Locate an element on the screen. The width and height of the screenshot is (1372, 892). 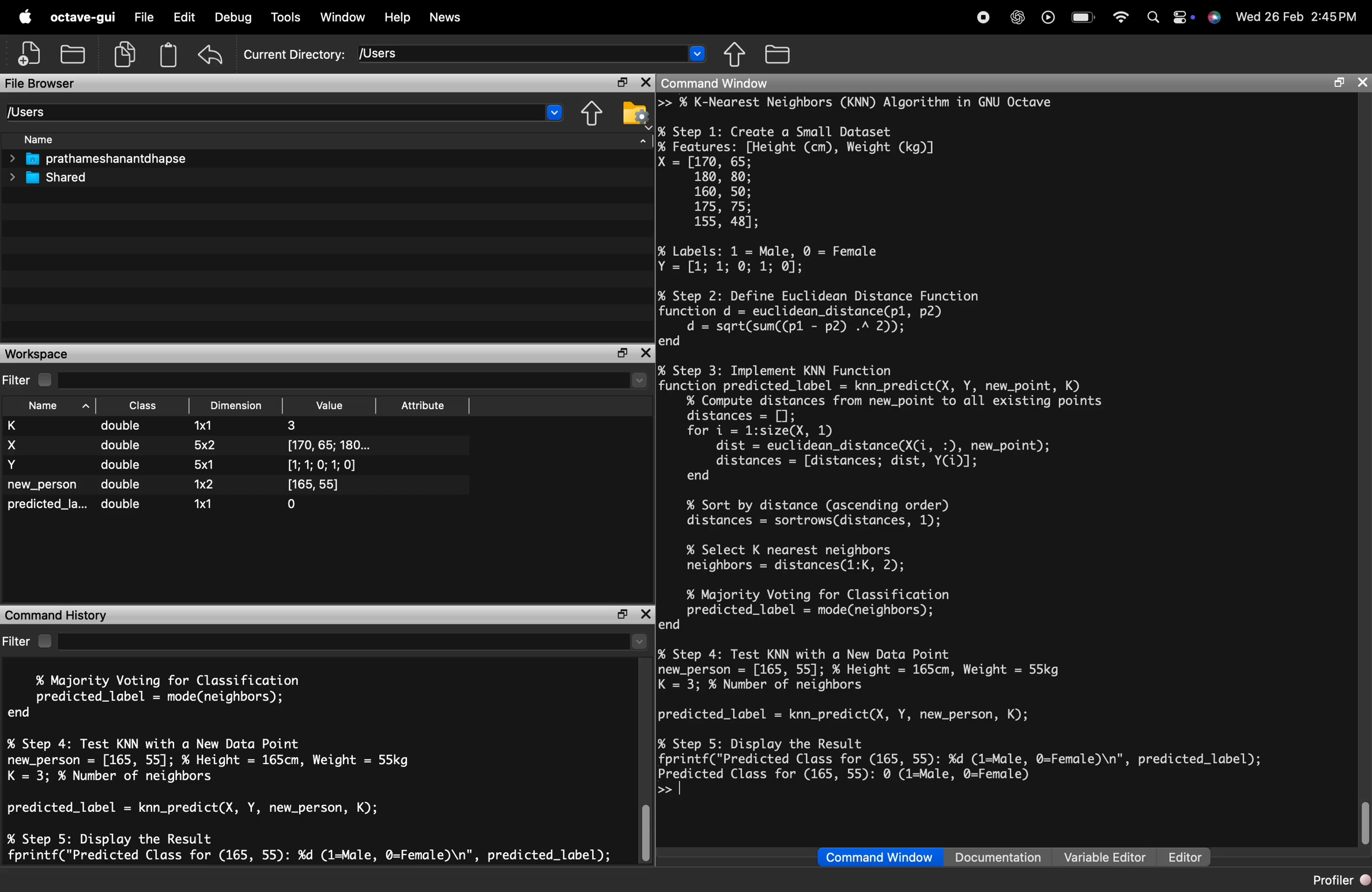
Name is located at coordinates (44, 407).